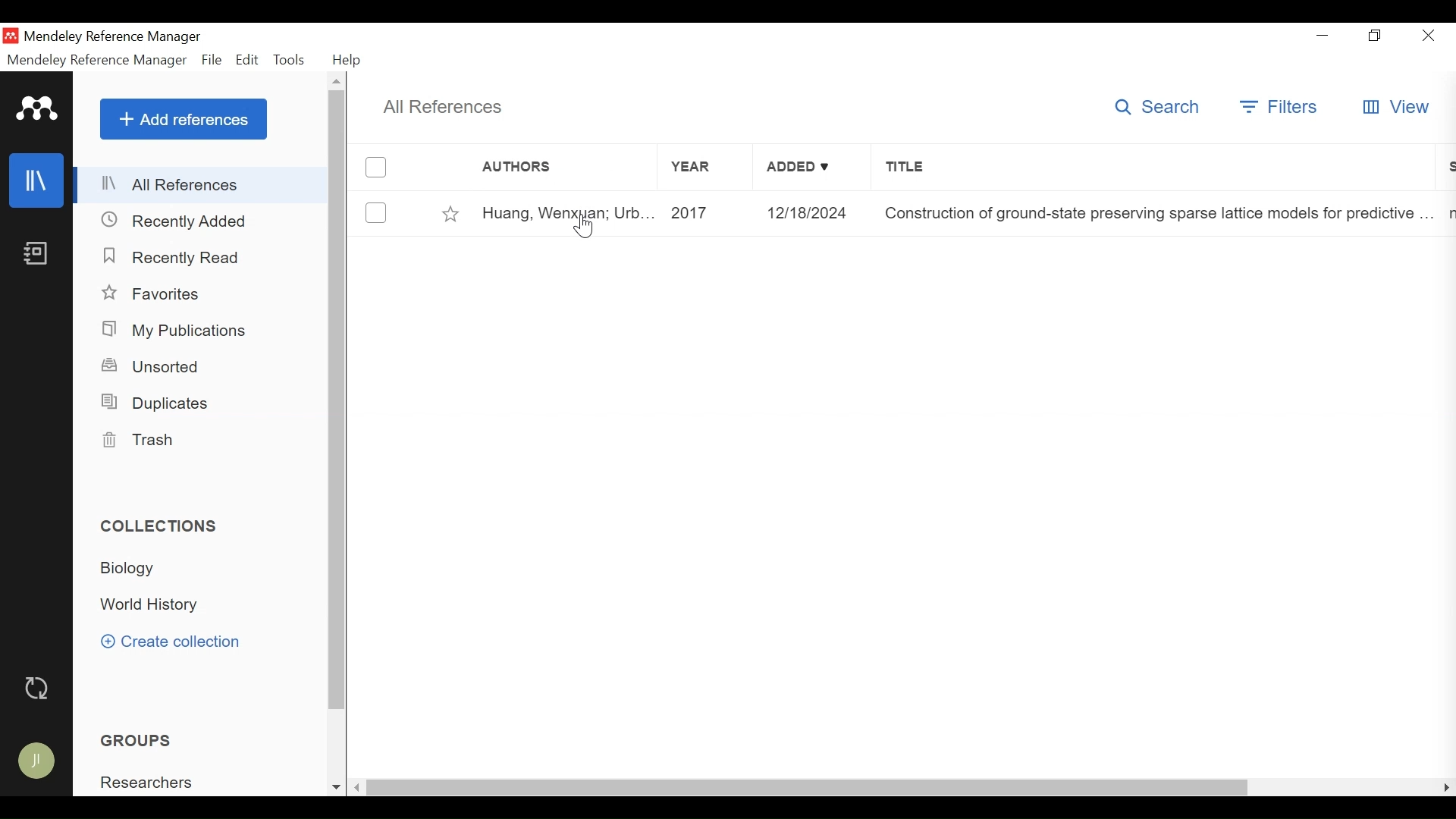 This screenshot has height=819, width=1456. What do you see at coordinates (1157, 106) in the screenshot?
I see `Search` at bounding box center [1157, 106].